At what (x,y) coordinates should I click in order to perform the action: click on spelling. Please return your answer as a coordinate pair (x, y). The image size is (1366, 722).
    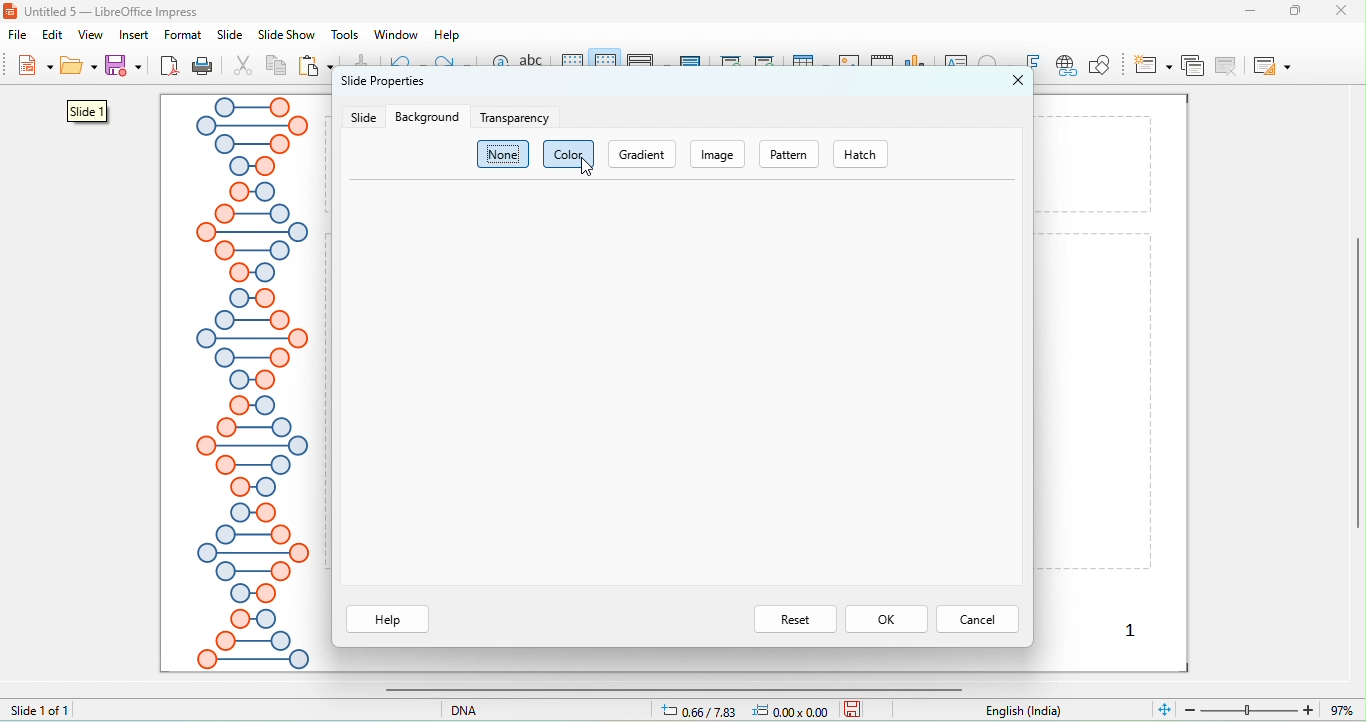
    Looking at the image, I should click on (535, 67).